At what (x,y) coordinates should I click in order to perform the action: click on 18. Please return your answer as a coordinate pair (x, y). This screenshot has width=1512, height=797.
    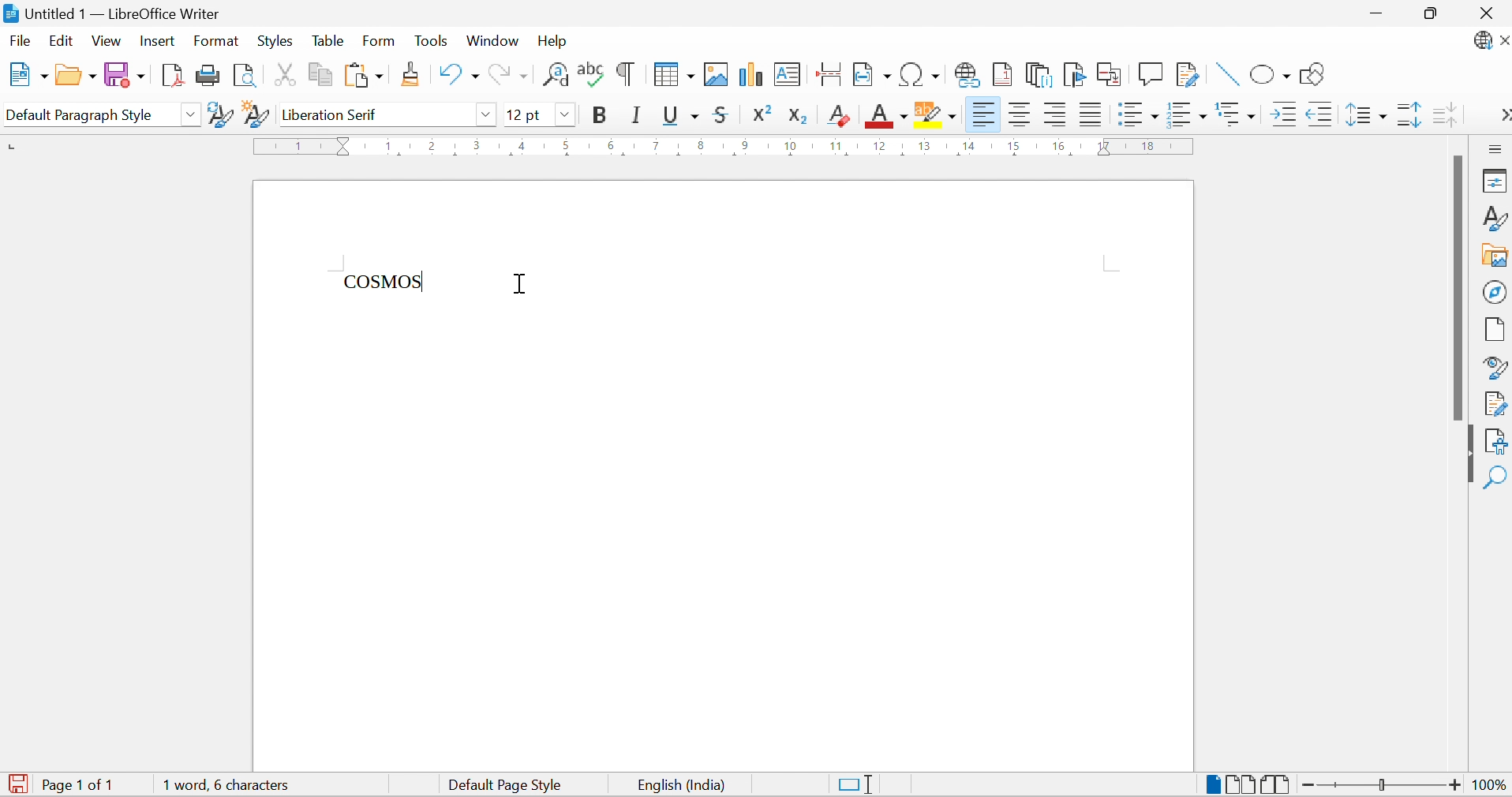
    Looking at the image, I should click on (1149, 145).